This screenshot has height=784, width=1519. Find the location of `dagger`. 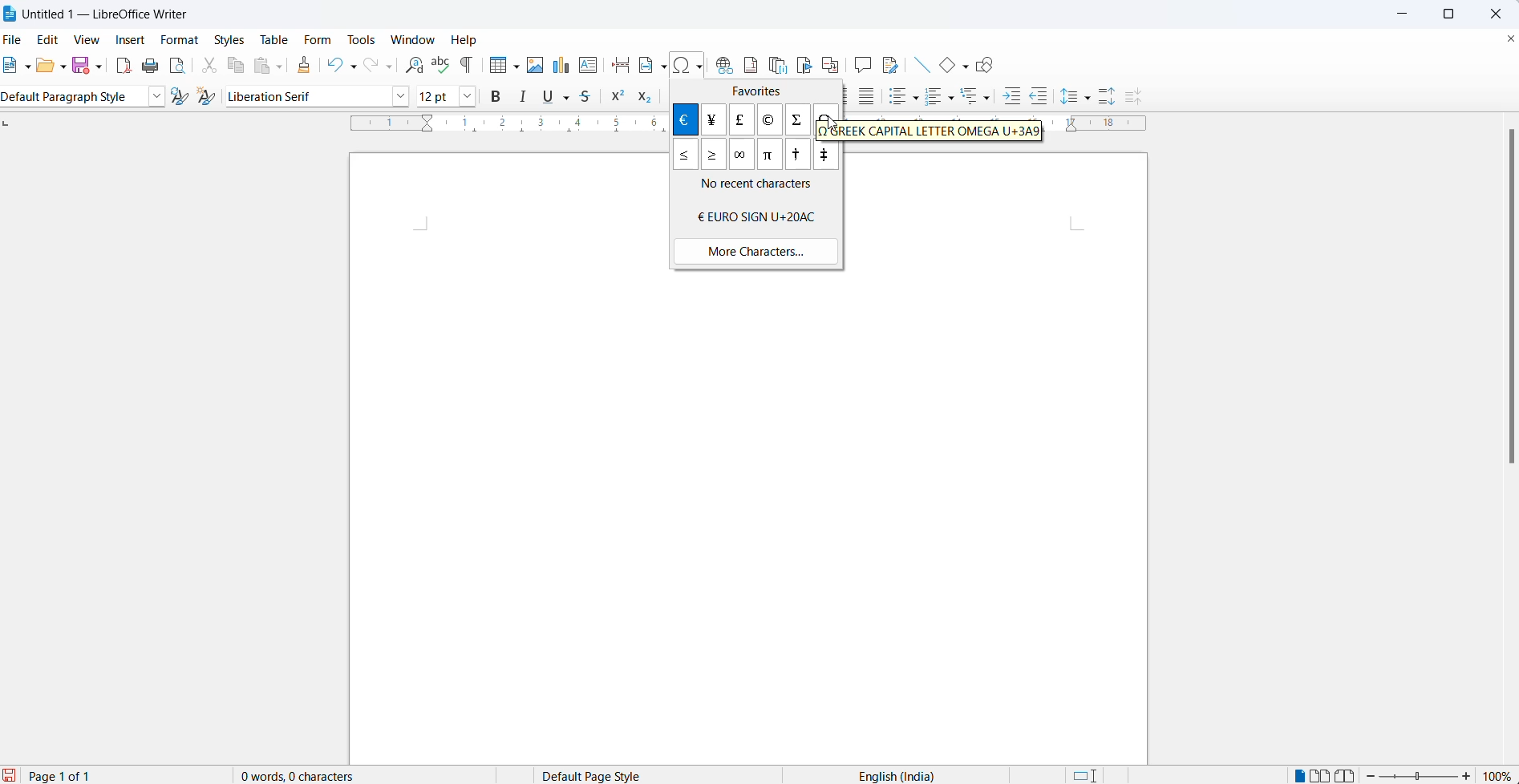

dagger is located at coordinates (799, 156).